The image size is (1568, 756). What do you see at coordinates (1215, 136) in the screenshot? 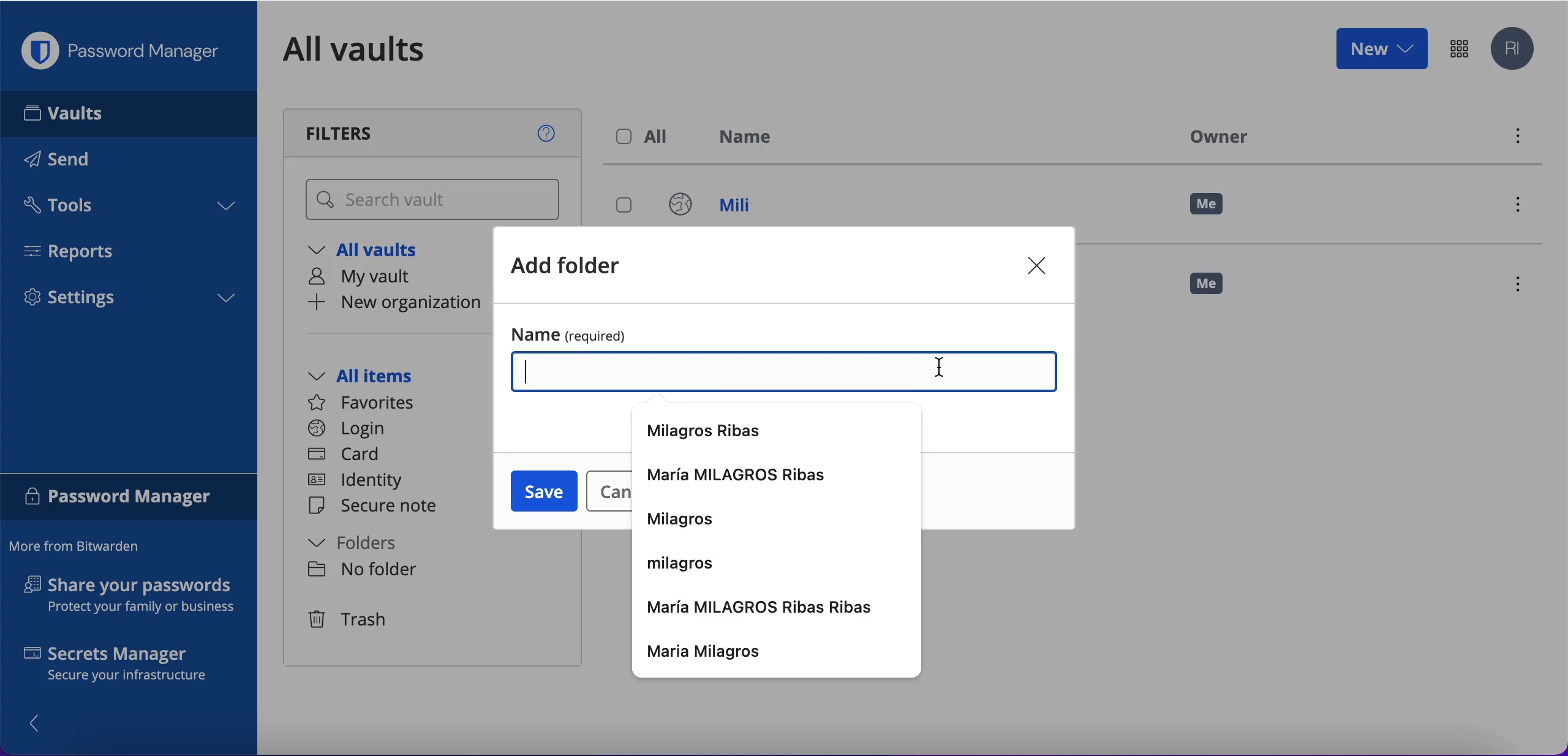
I see `owner` at bounding box center [1215, 136].